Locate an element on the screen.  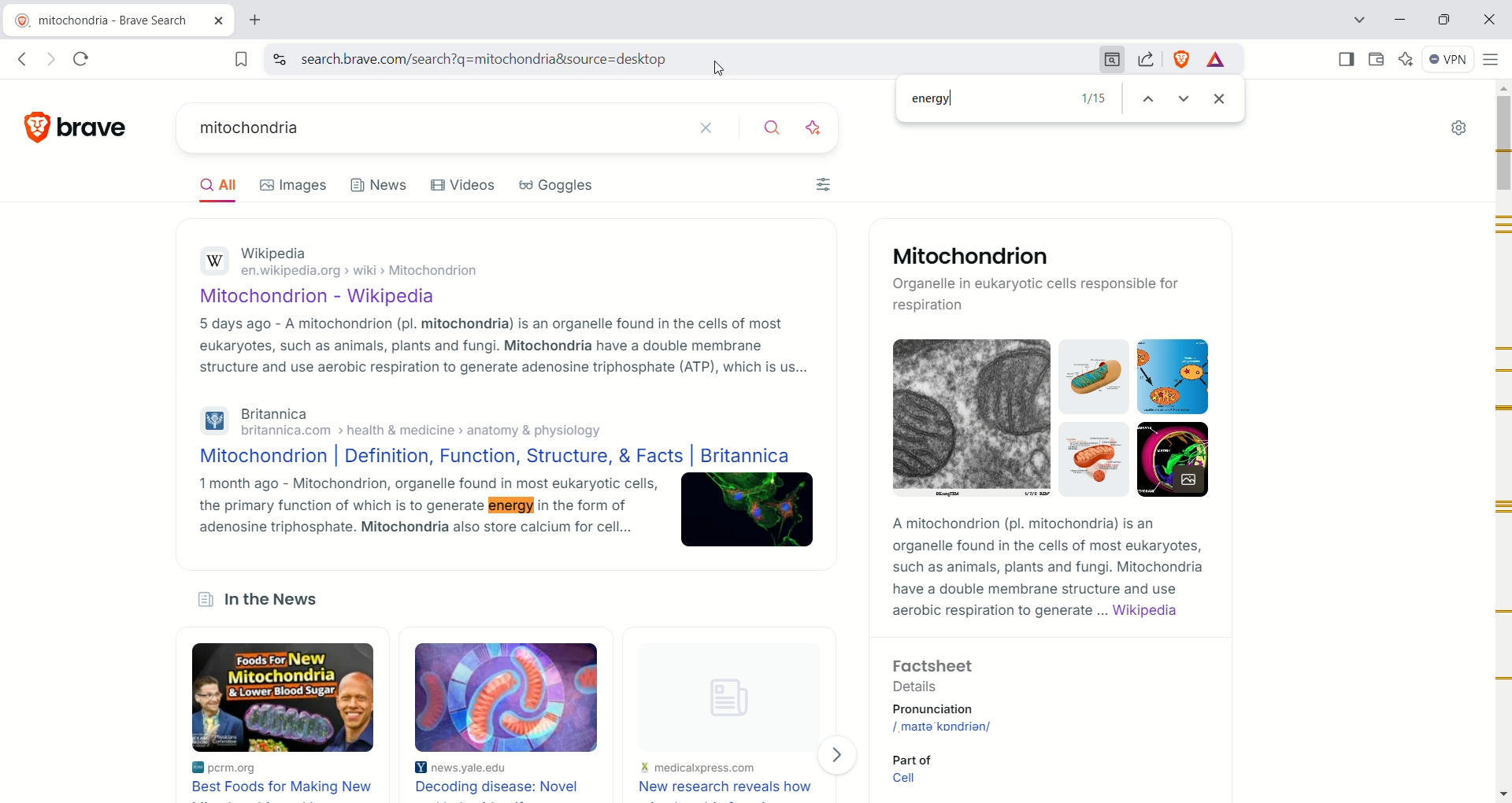
News is located at coordinates (379, 185).